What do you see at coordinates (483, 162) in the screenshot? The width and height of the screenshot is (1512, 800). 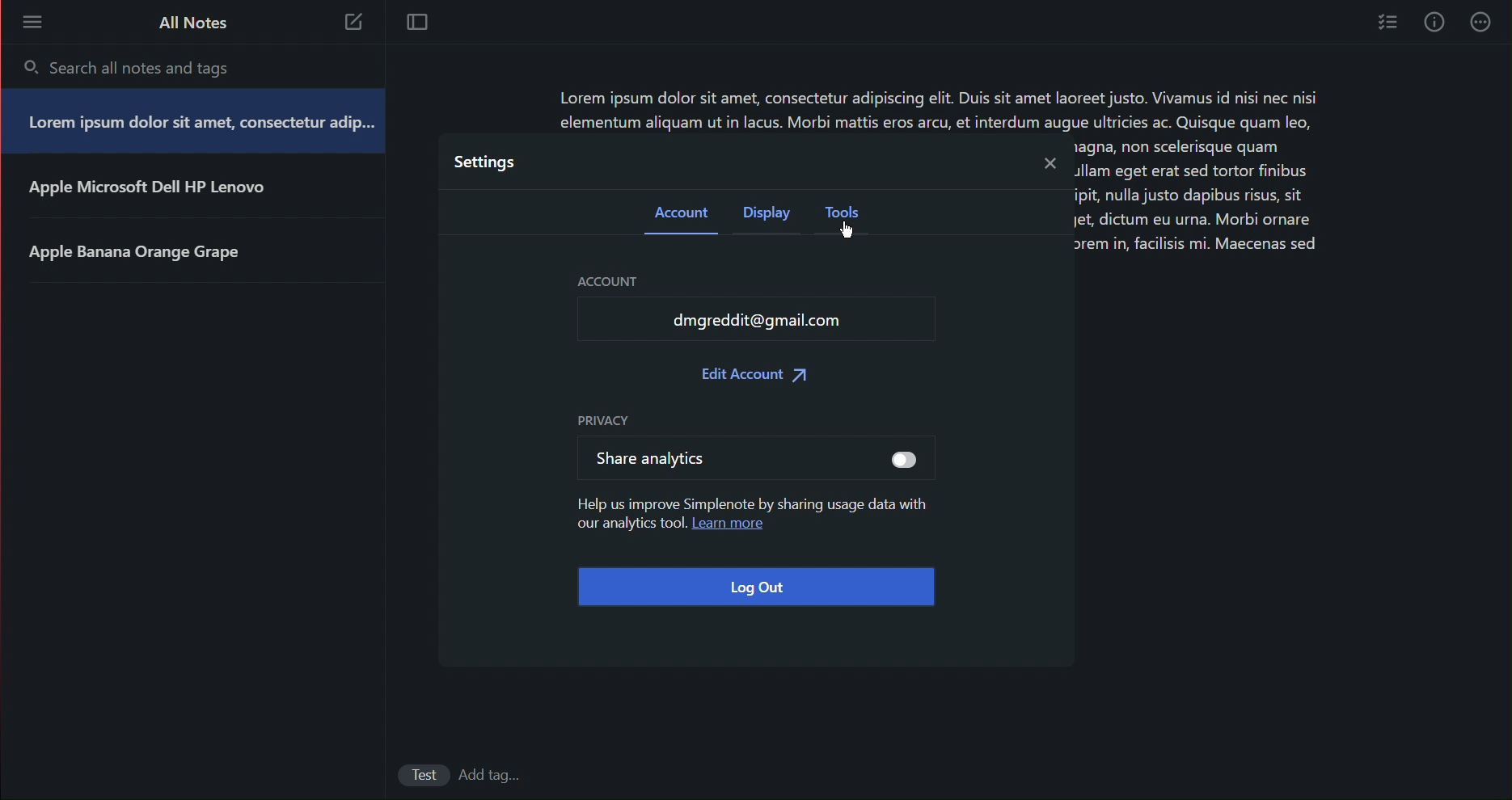 I see `Settings` at bounding box center [483, 162].